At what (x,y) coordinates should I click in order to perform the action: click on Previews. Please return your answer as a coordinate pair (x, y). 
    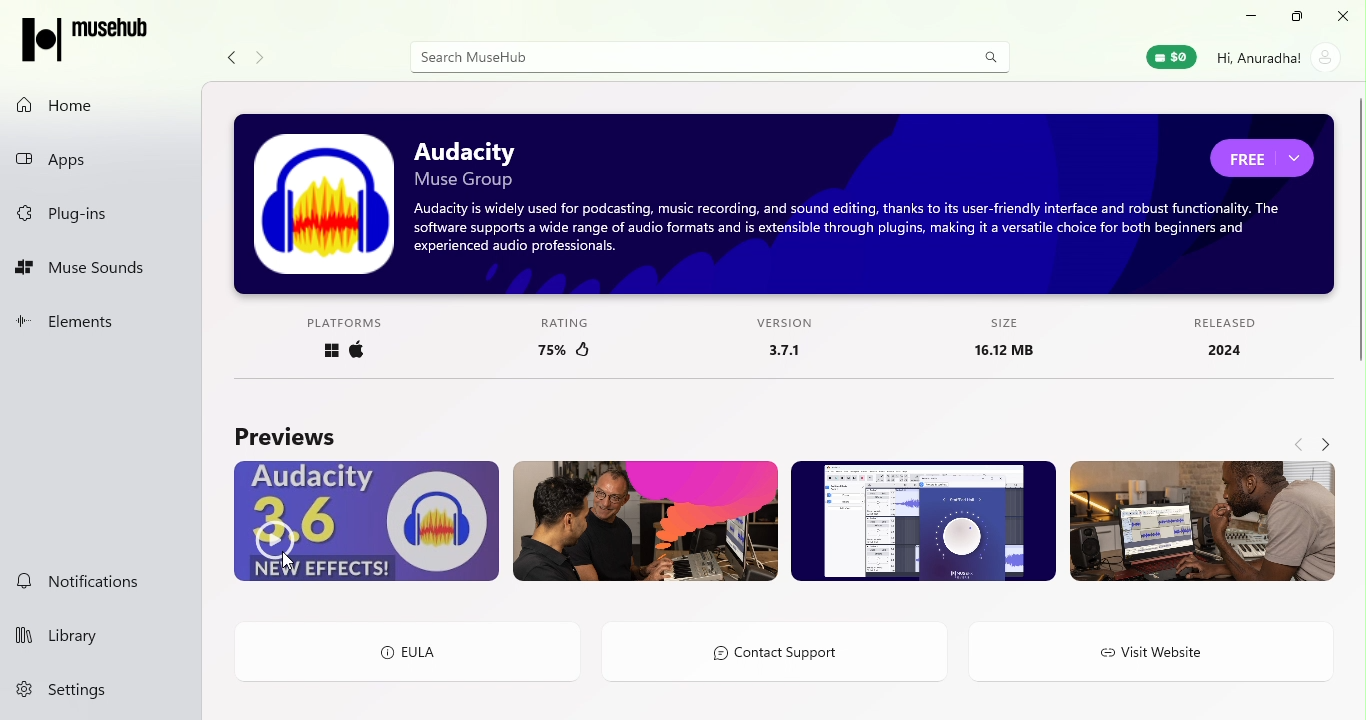
    Looking at the image, I should click on (281, 436).